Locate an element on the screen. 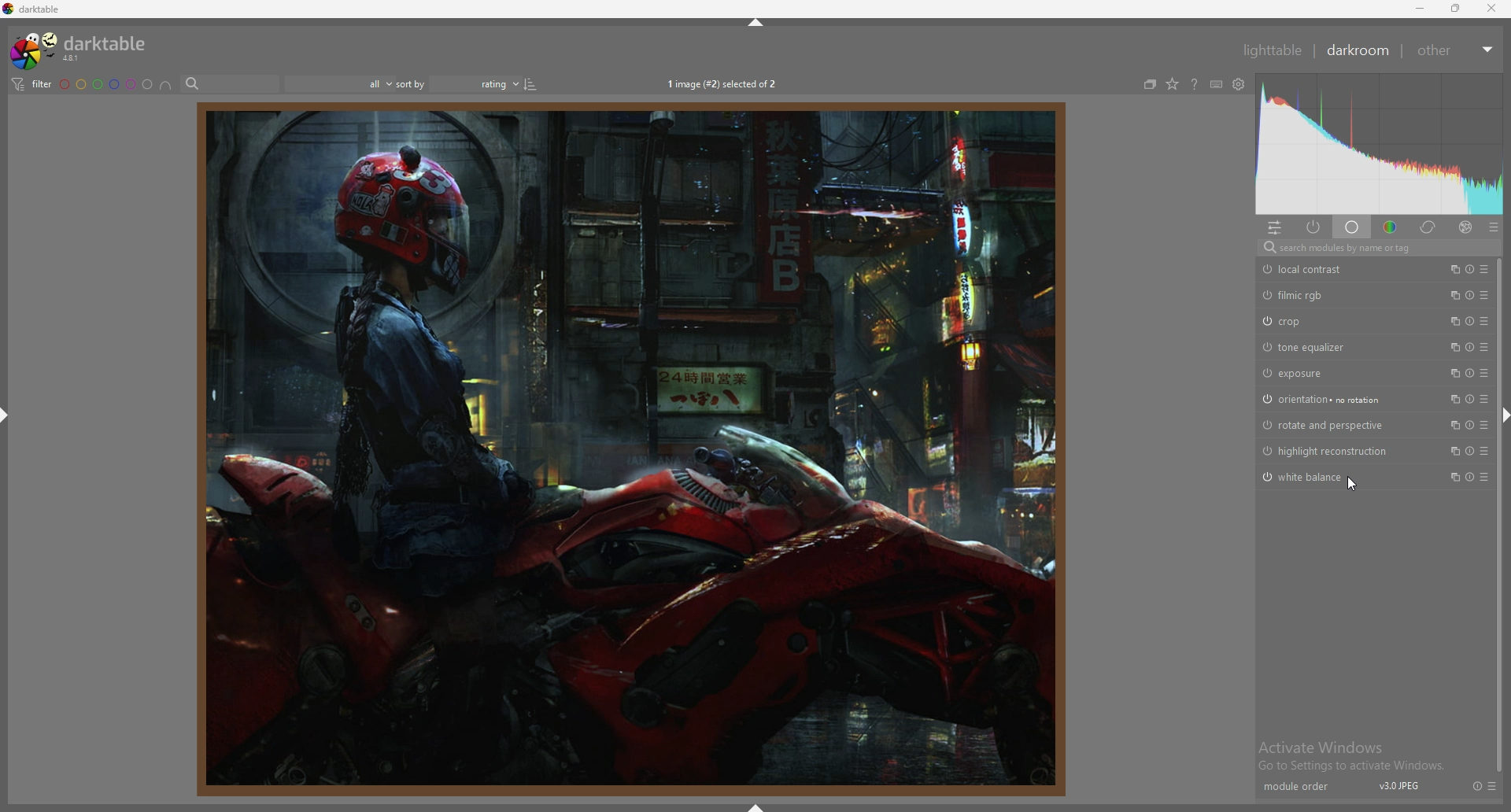 This screenshot has width=1511, height=812. show only active modules is located at coordinates (1313, 228).